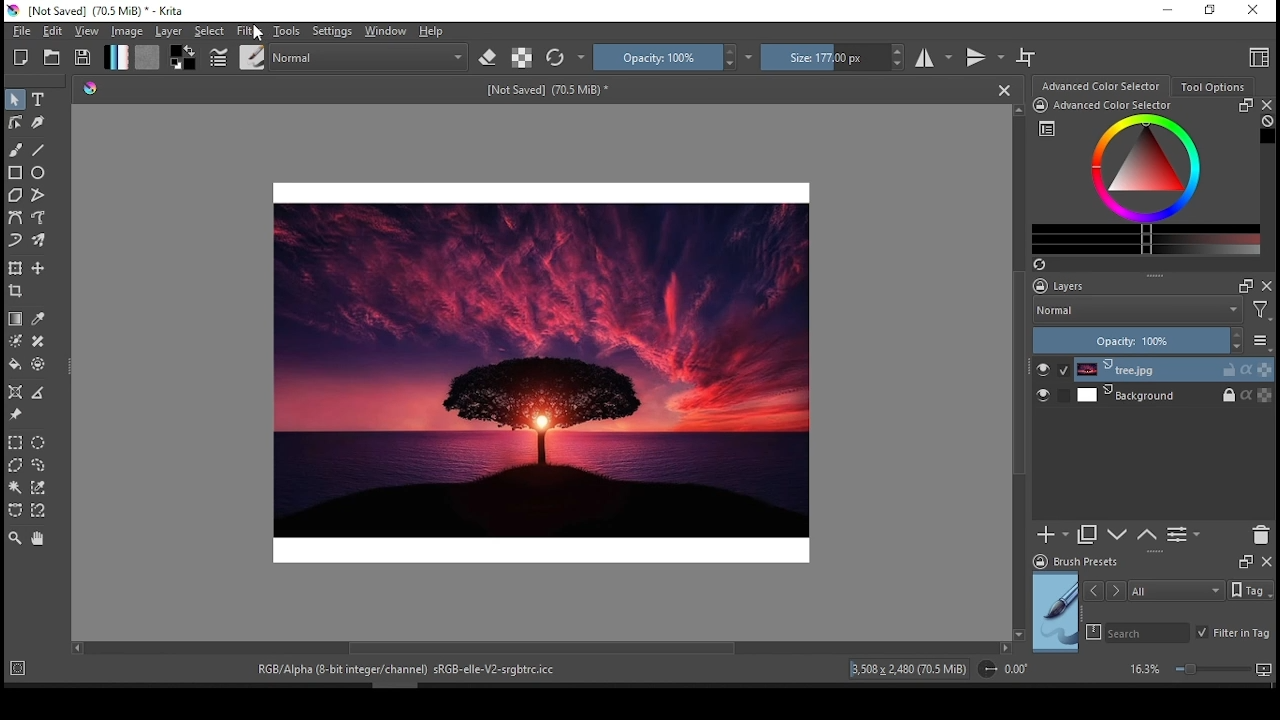  Describe the element at coordinates (15, 539) in the screenshot. I see `zoom tool` at that location.